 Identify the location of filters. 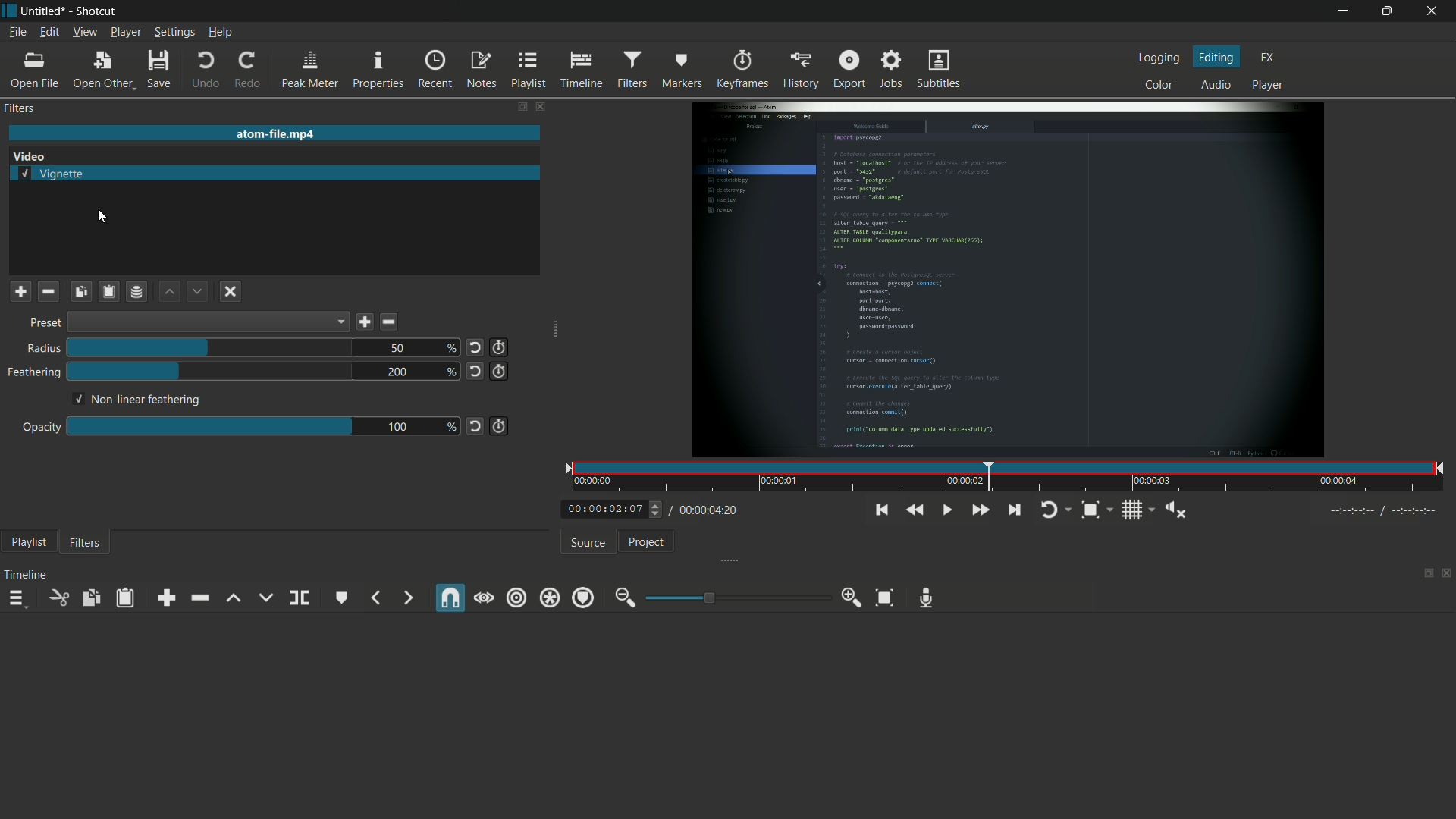
(632, 71).